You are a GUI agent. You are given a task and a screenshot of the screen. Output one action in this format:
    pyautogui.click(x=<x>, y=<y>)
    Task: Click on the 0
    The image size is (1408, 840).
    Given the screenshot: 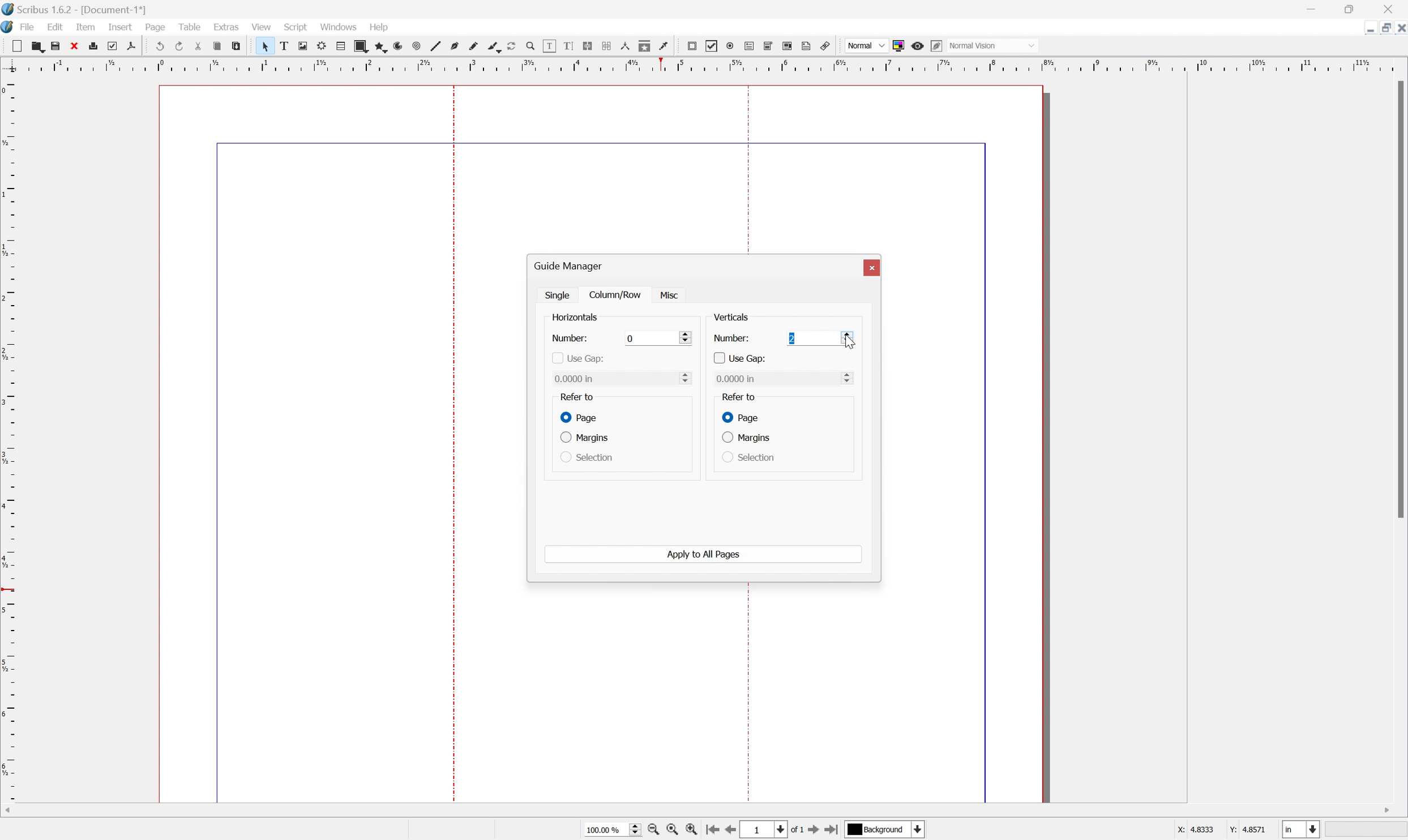 What is the action you would take?
    pyautogui.click(x=656, y=338)
    